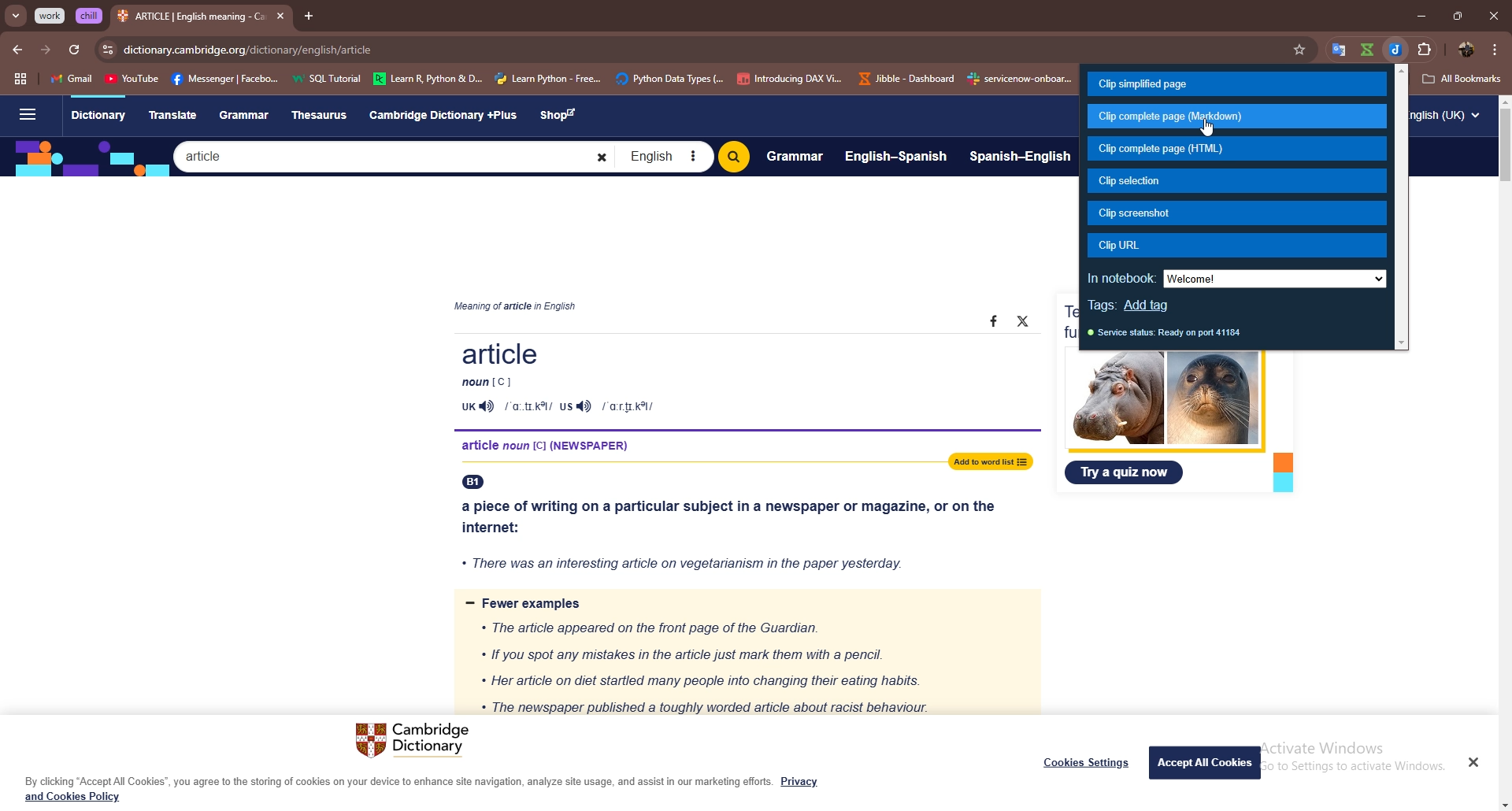  Describe the element at coordinates (1147, 306) in the screenshot. I see `add tag` at that location.